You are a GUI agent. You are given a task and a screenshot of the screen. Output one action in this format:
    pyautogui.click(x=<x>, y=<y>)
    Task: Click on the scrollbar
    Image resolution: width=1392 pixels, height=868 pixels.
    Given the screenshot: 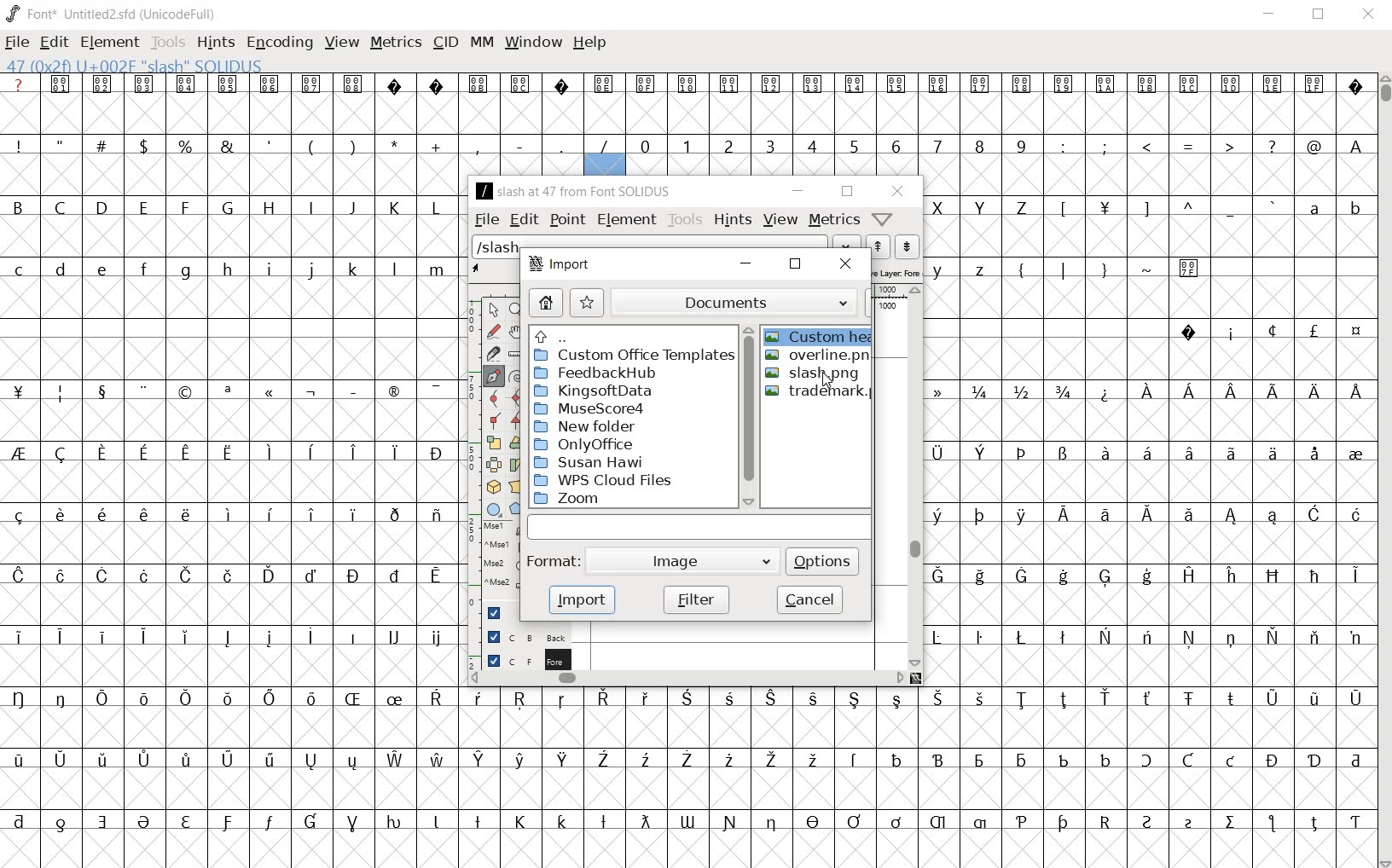 What is the action you would take?
    pyautogui.click(x=686, y=680)
    